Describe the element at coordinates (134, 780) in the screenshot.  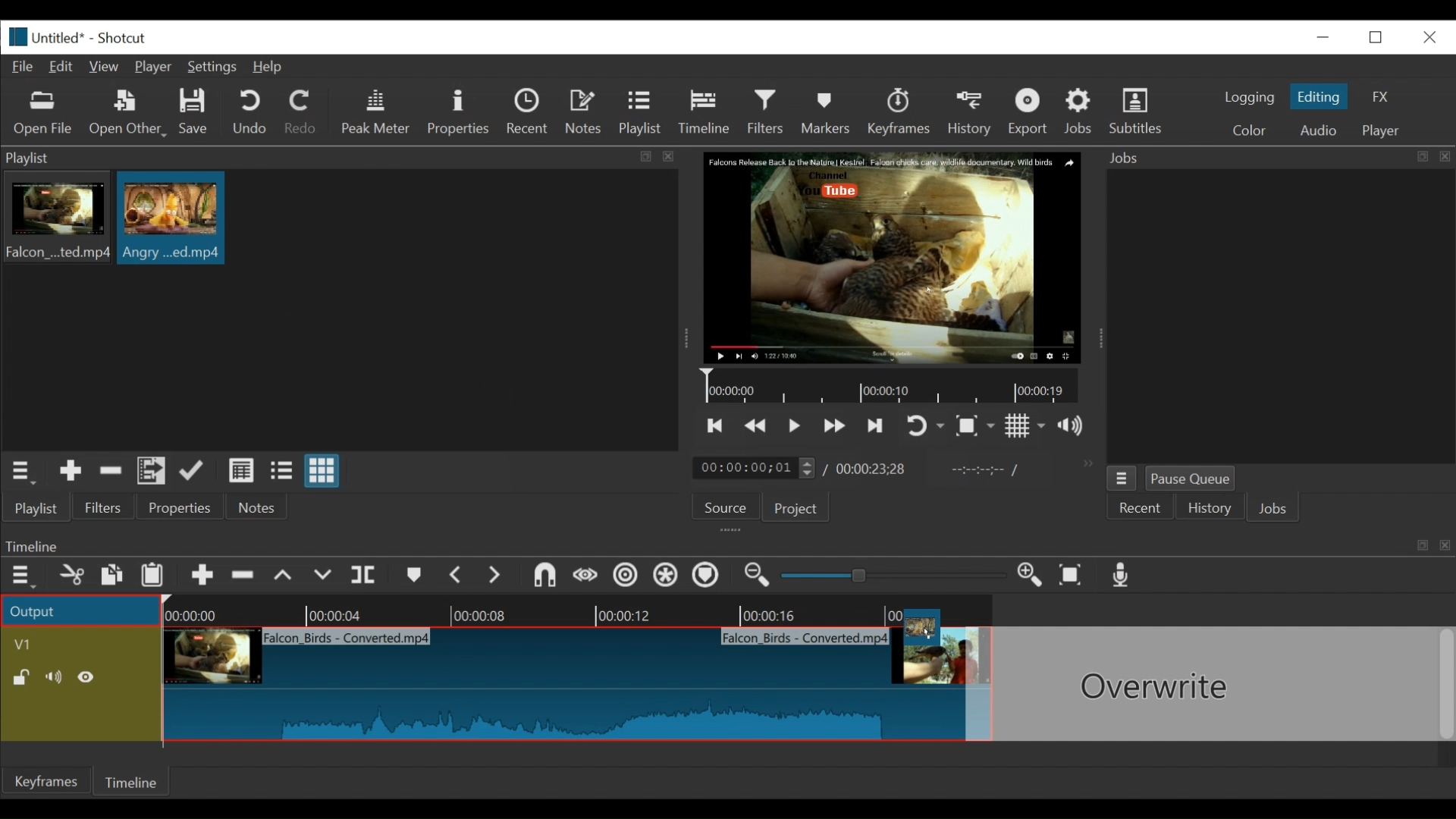
I see `Timeline` at that location.